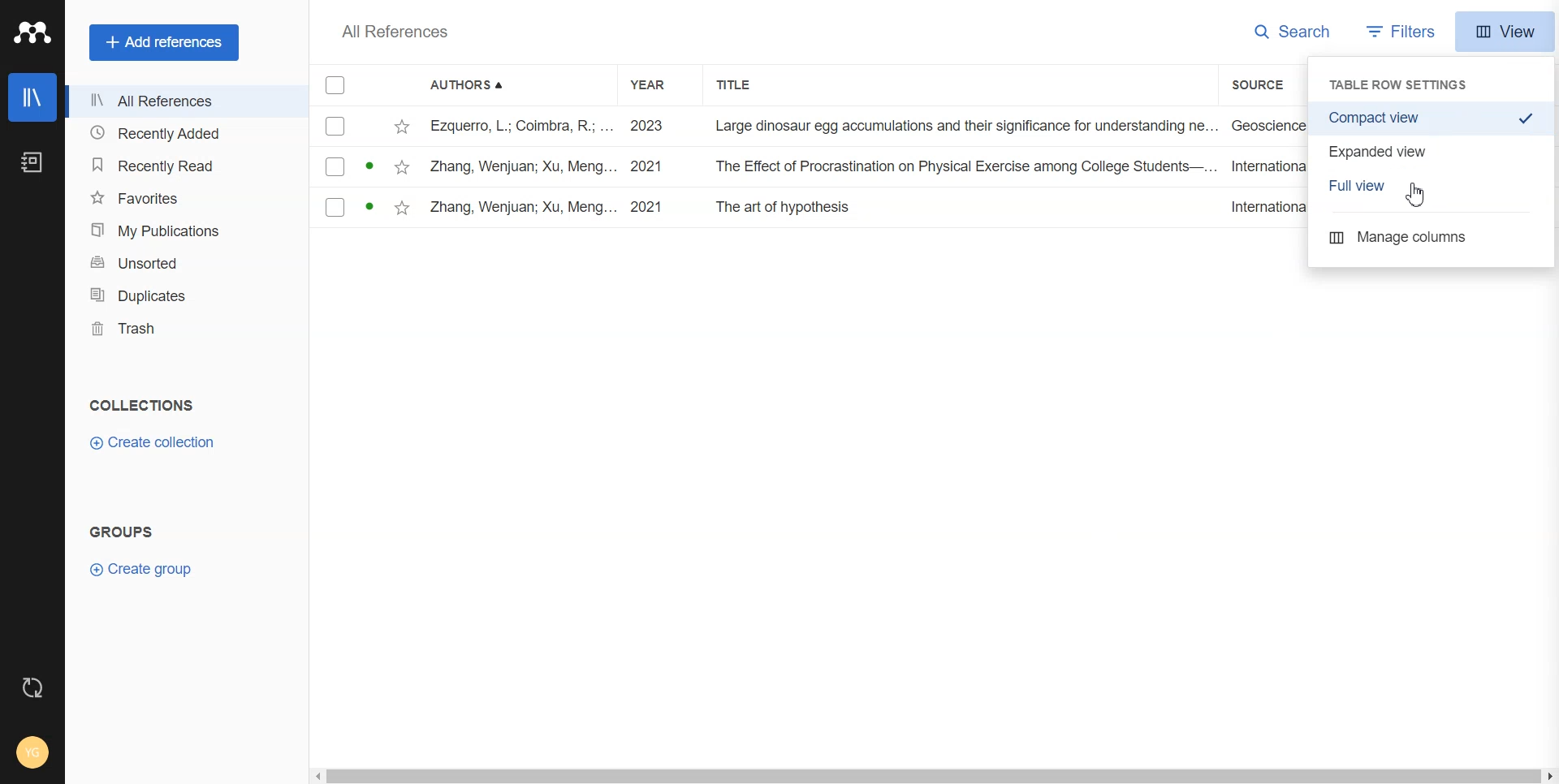 The height and width of the screenshot is (784, 1559). Describe the element at coordinates (159, 442) in the screenshot. I see `Create collection` at that location.